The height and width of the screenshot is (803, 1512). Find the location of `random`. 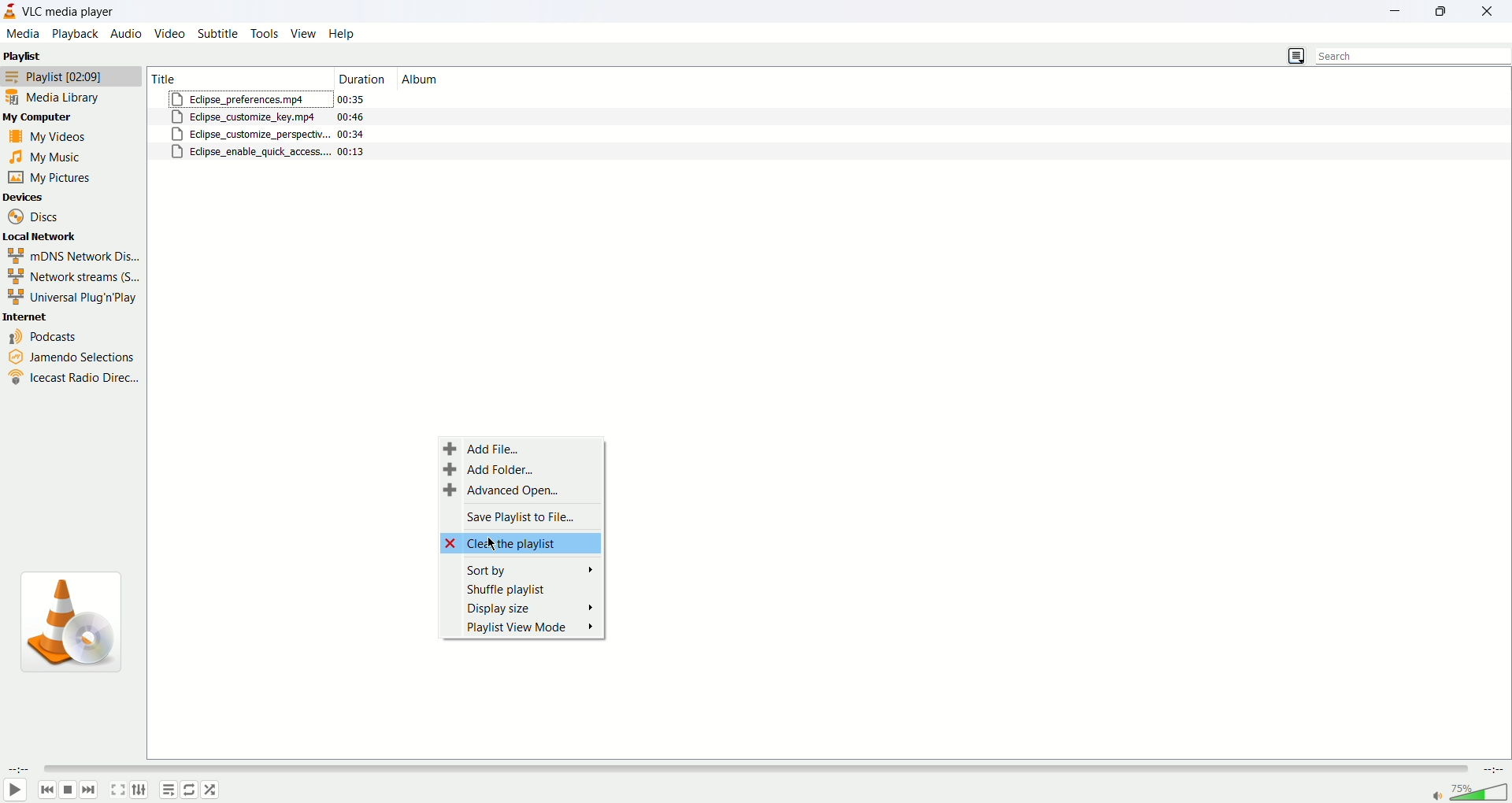

random is located at coordinates (210, 790).